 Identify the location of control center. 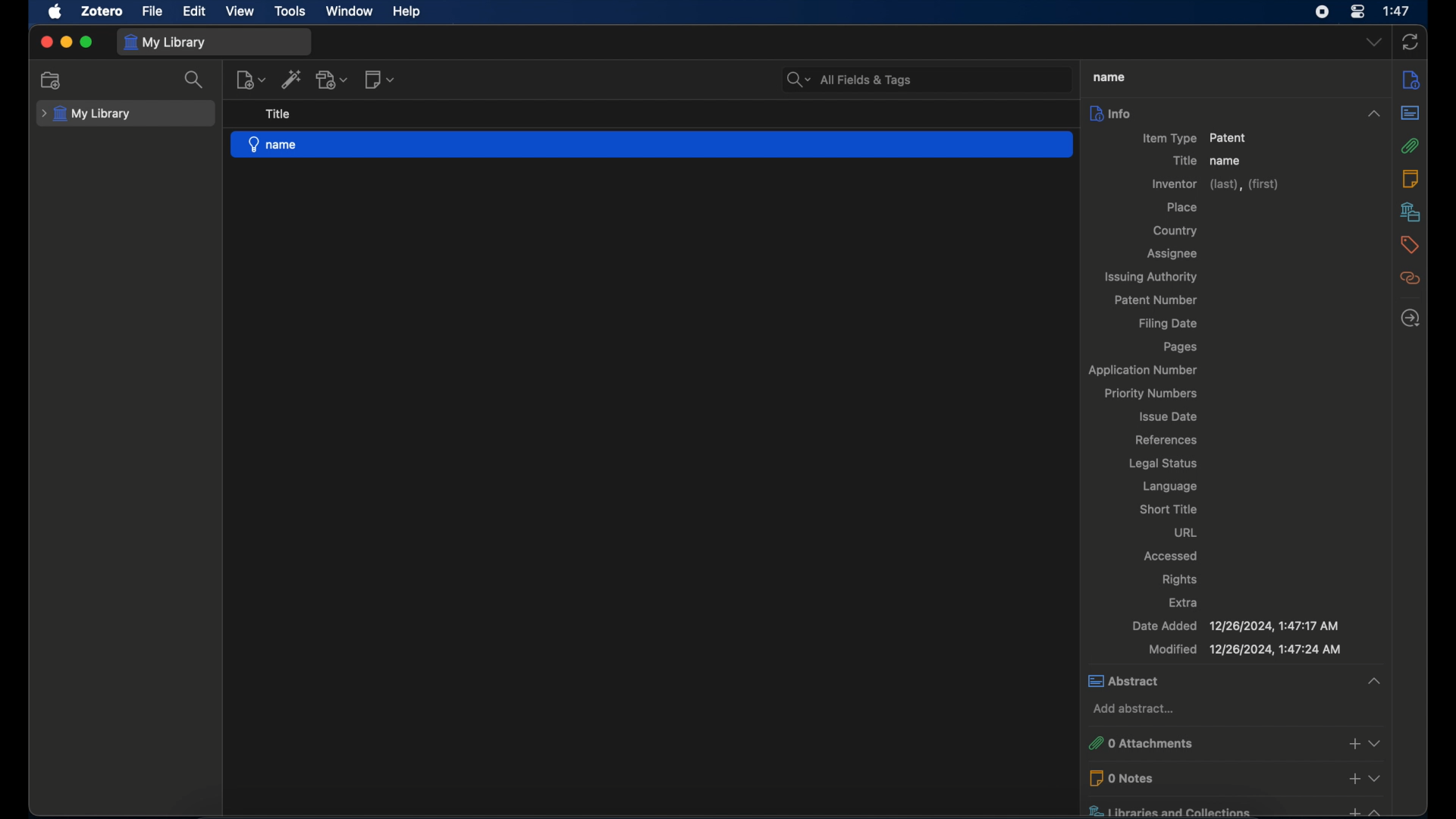
(1360, 11).